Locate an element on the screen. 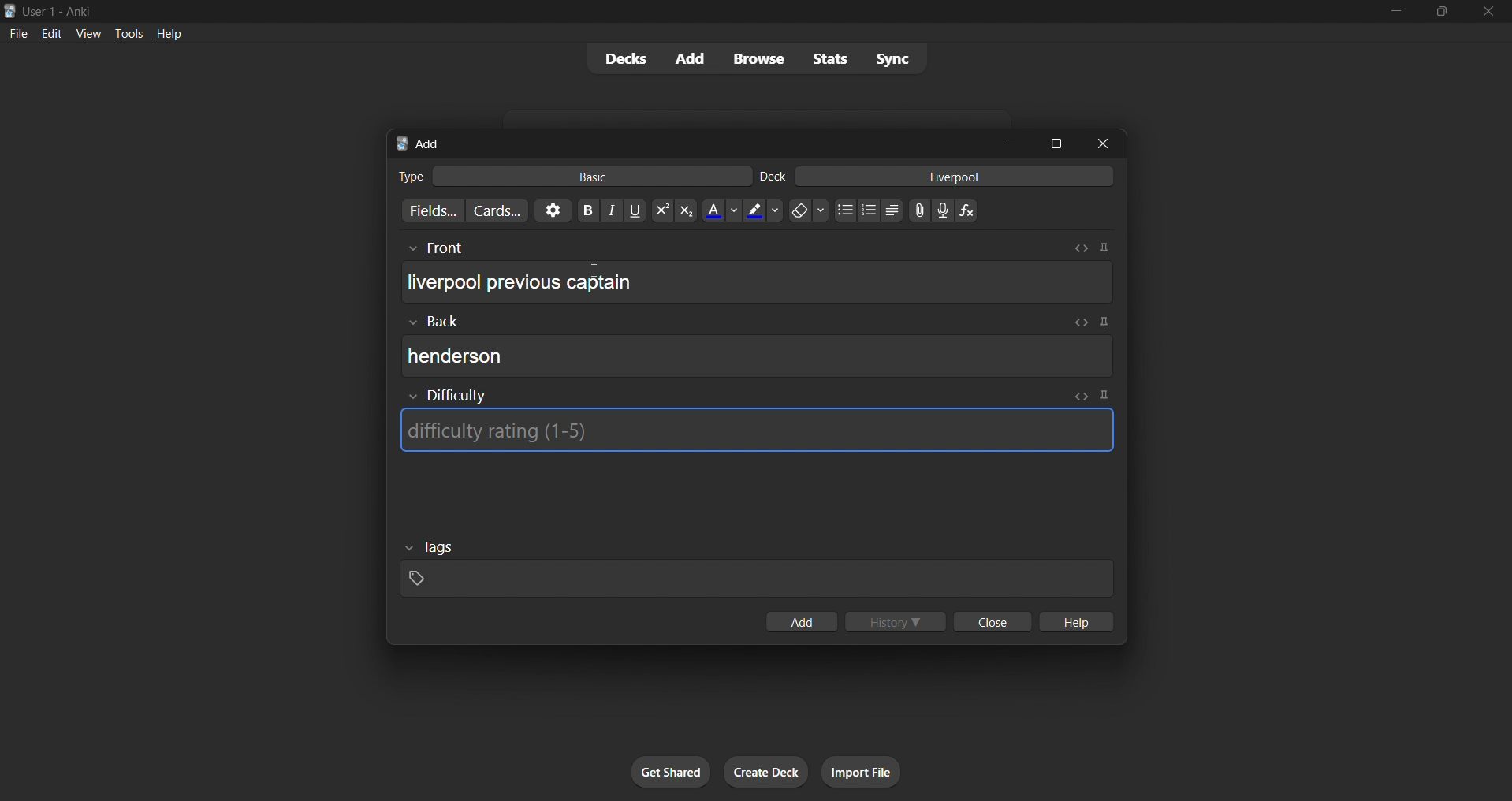  minimize is located at coordinates (1014, 144).